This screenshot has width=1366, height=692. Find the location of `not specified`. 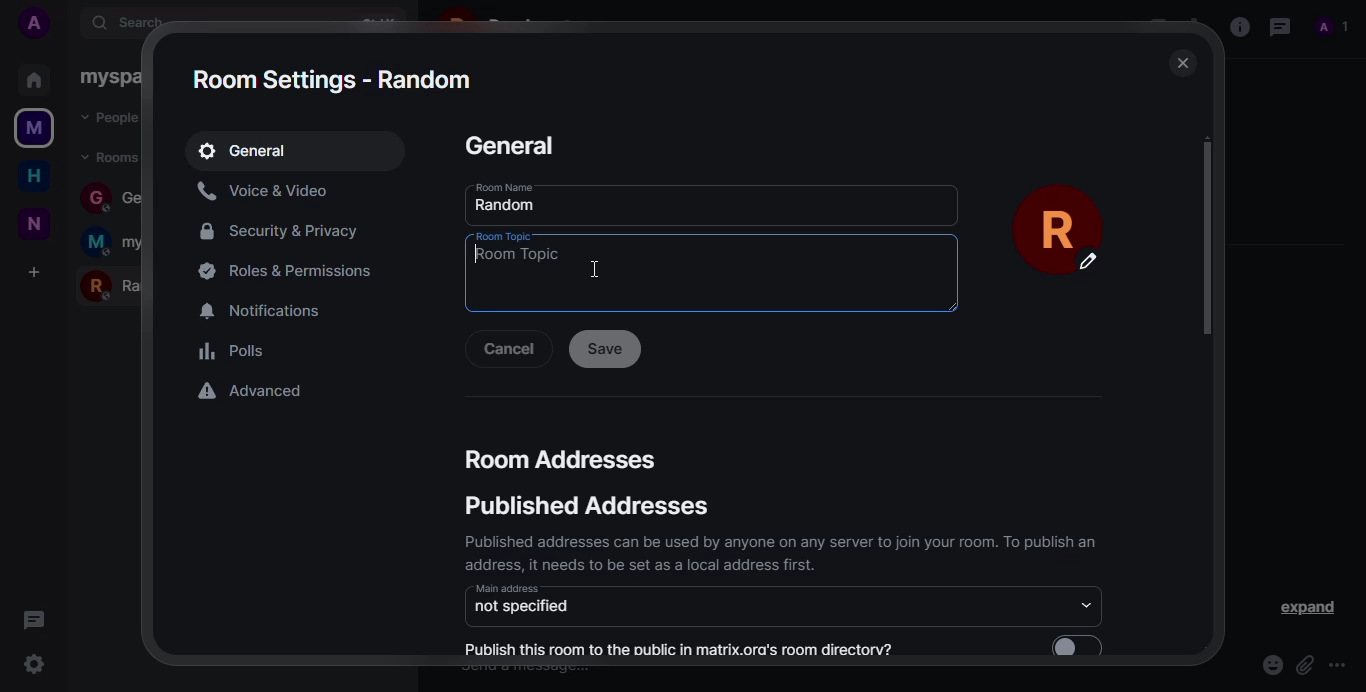

not specified is located at coordinates (527, 609).